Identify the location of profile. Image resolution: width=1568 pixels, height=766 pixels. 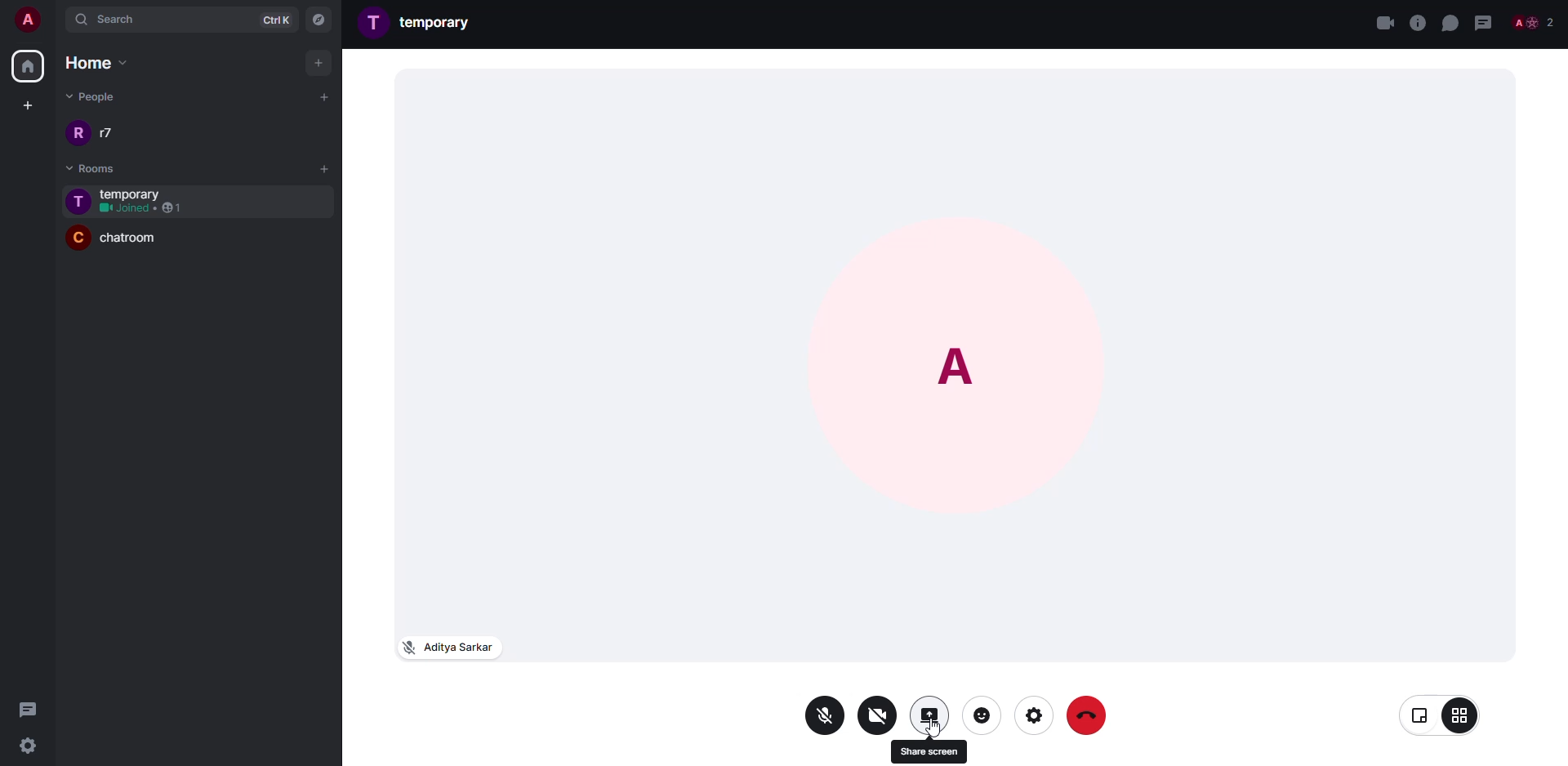
(76, 238).